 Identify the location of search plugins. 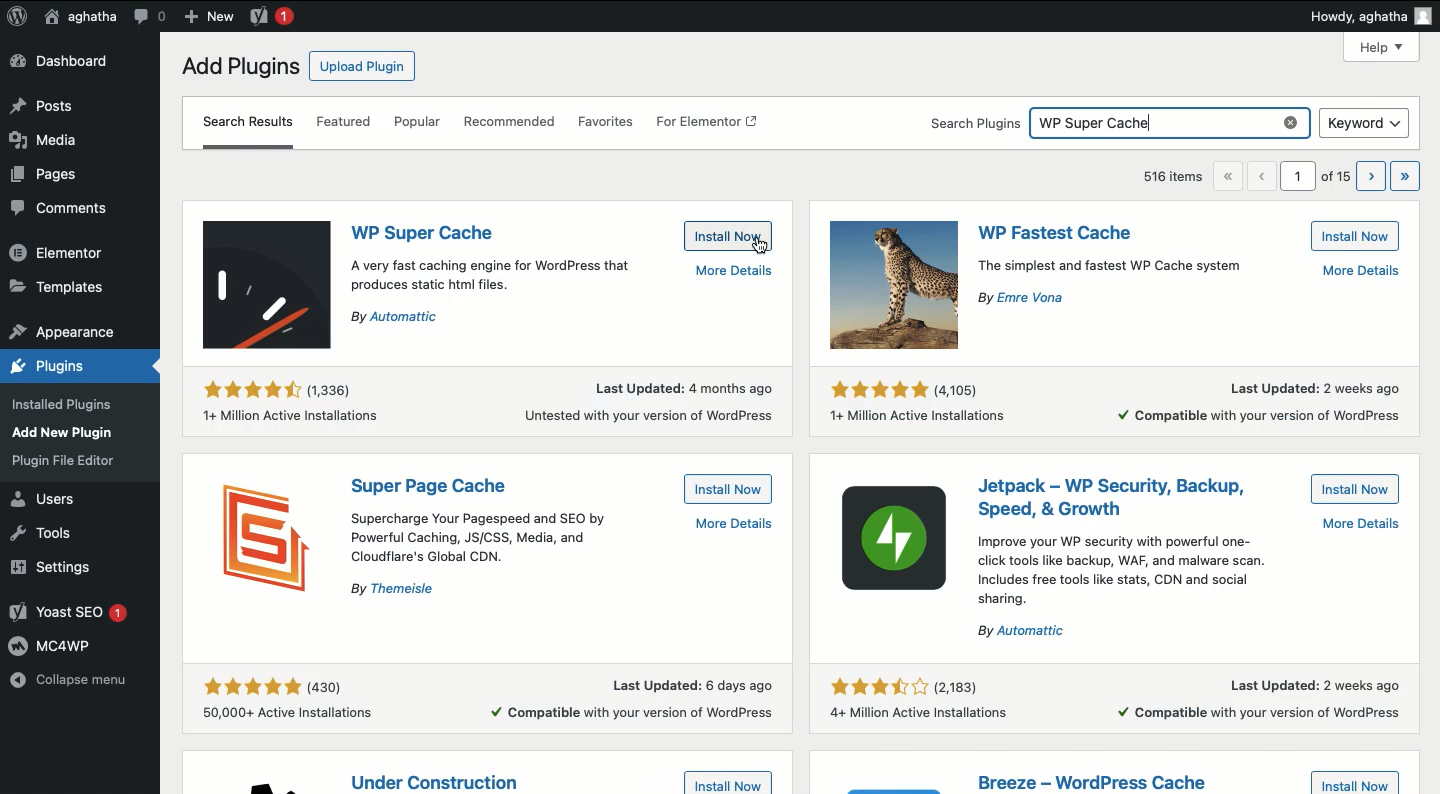
(970, 120).